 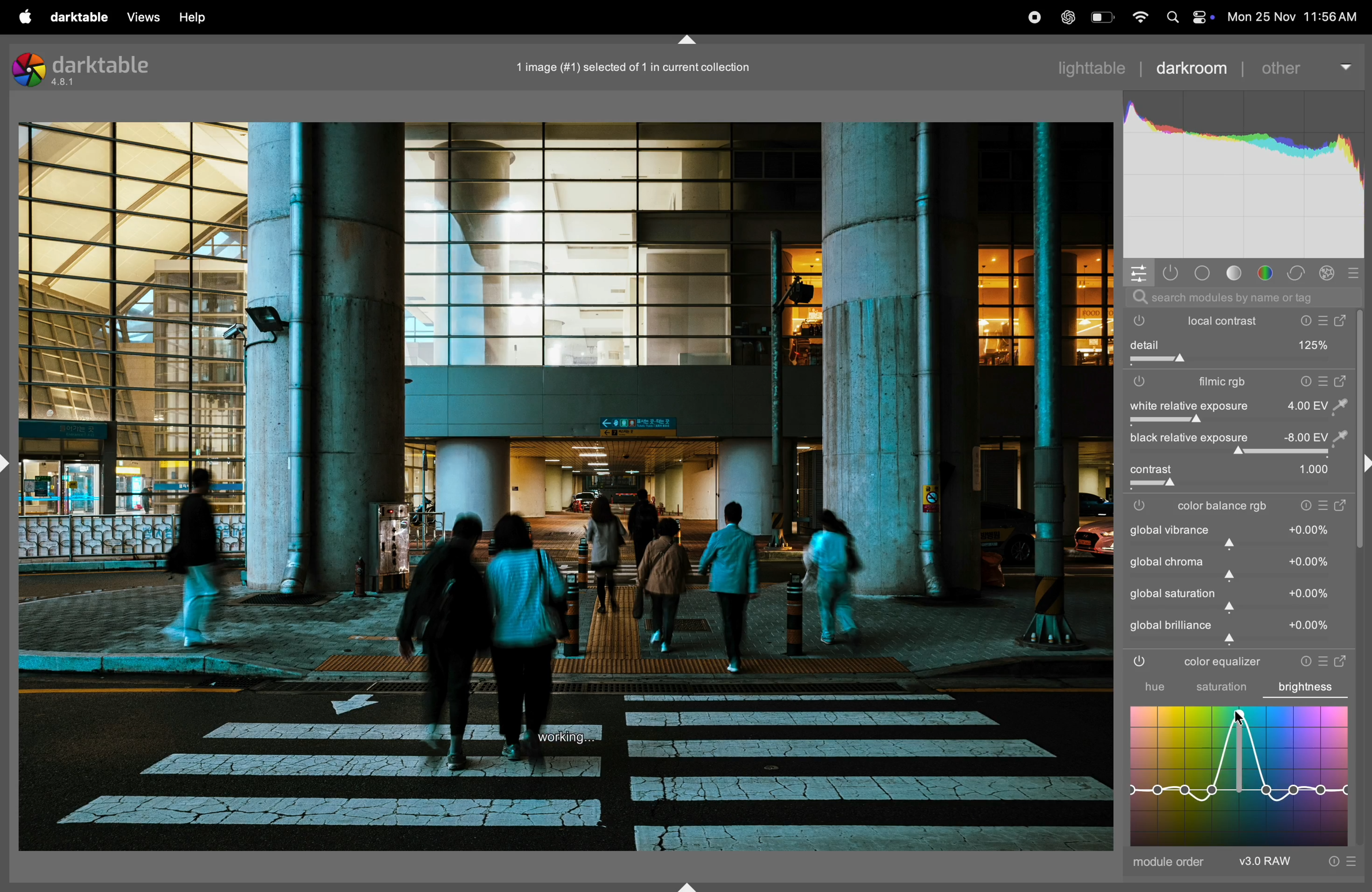 I want to click on reset parameters, so click(x=1303, y=381).